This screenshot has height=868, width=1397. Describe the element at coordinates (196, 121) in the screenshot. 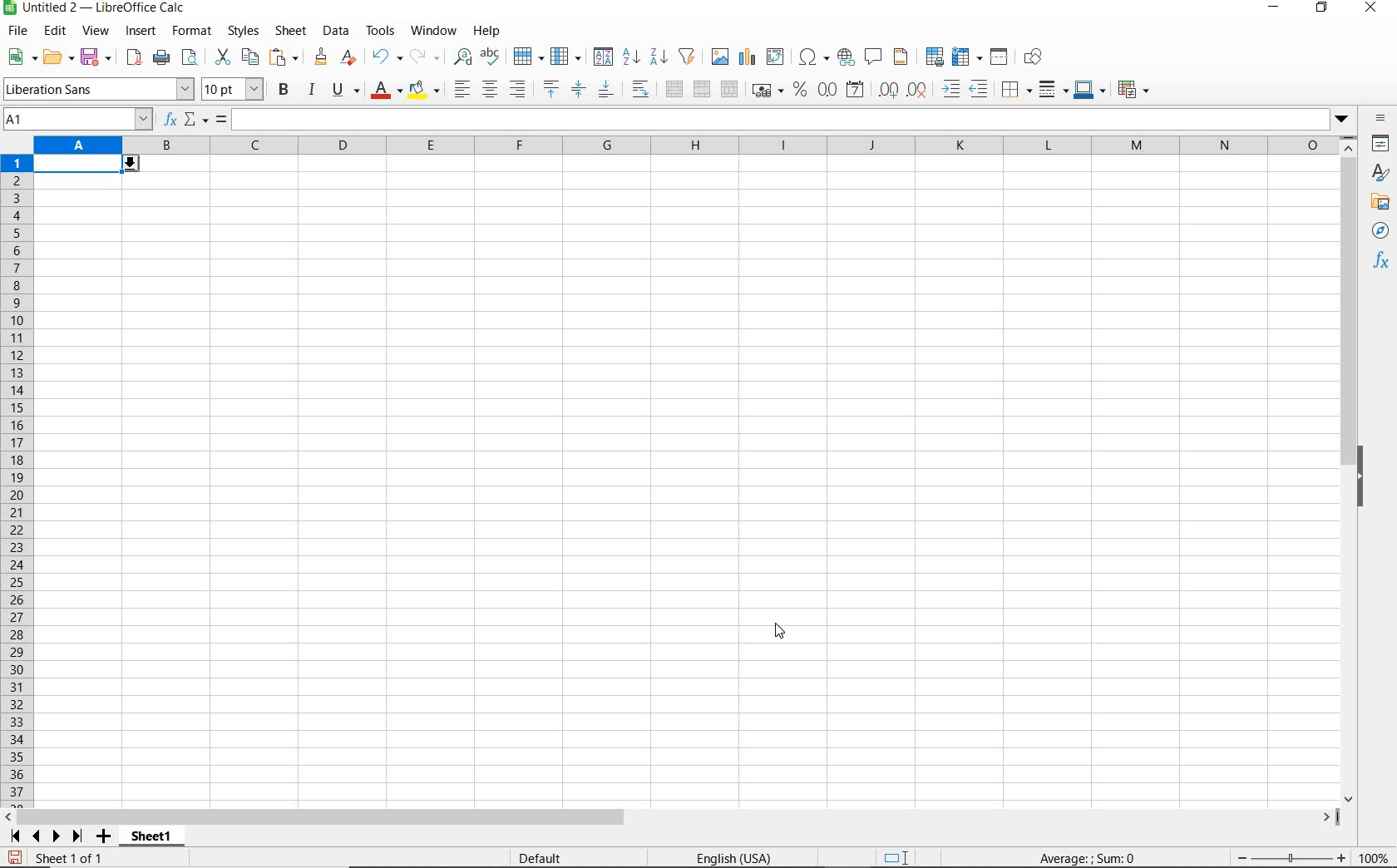

I see `select function` at that location.